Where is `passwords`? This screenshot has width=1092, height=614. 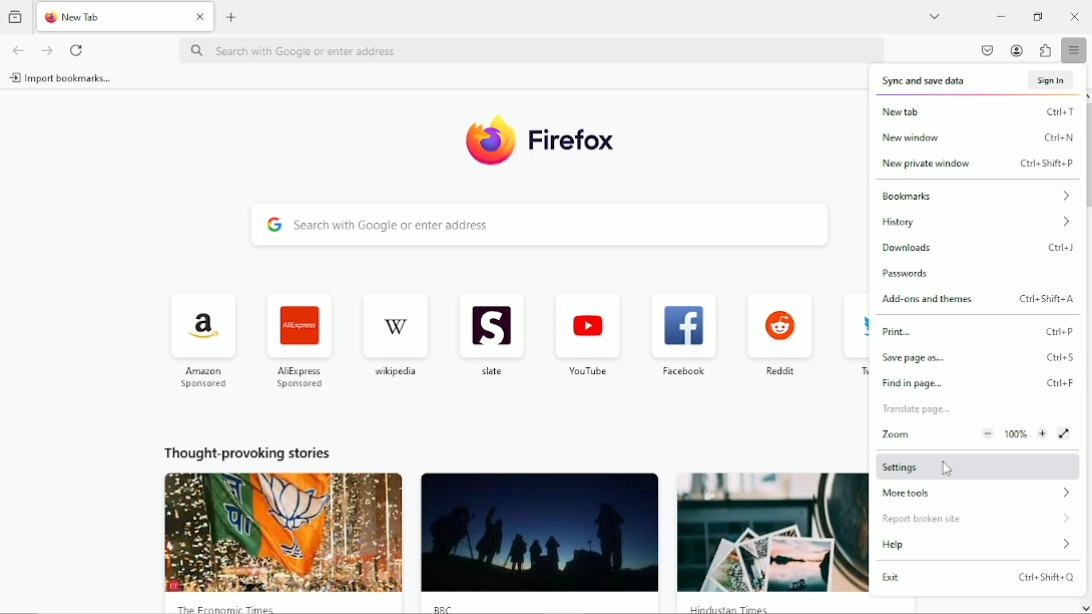
passwords is located at coordinates (905, 274).